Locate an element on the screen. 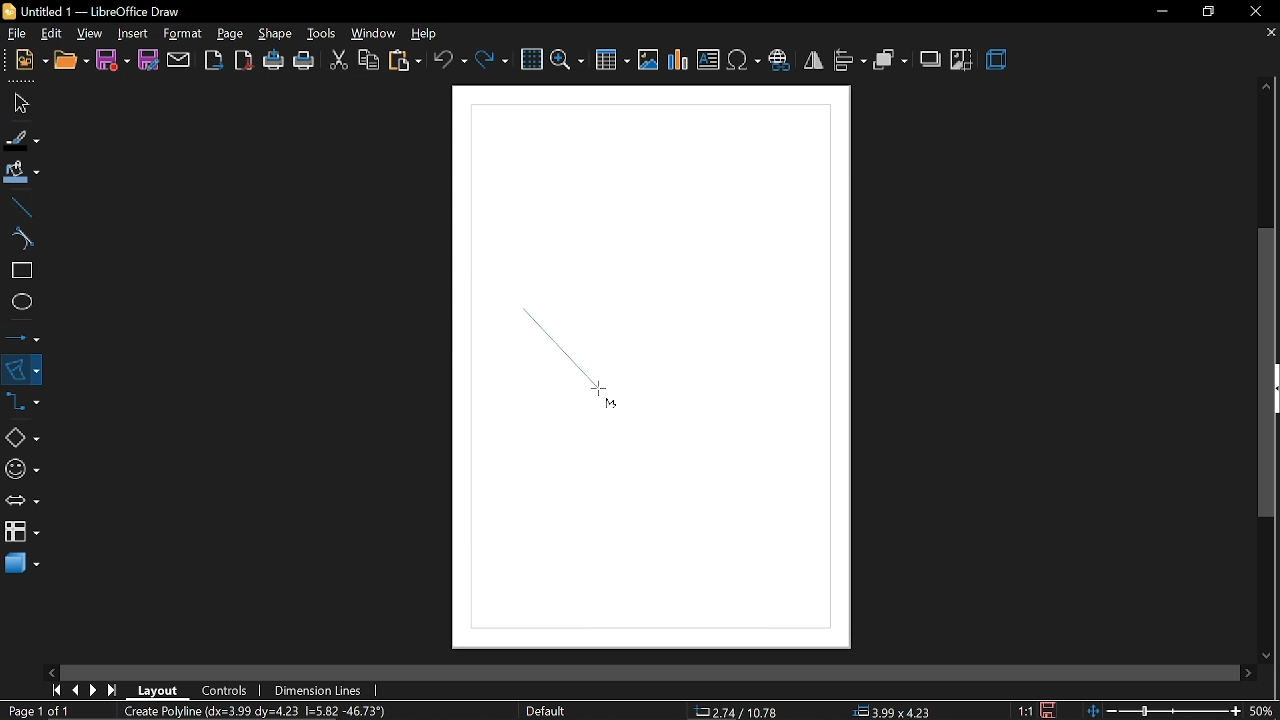  save is located at coordinates (113, 60).